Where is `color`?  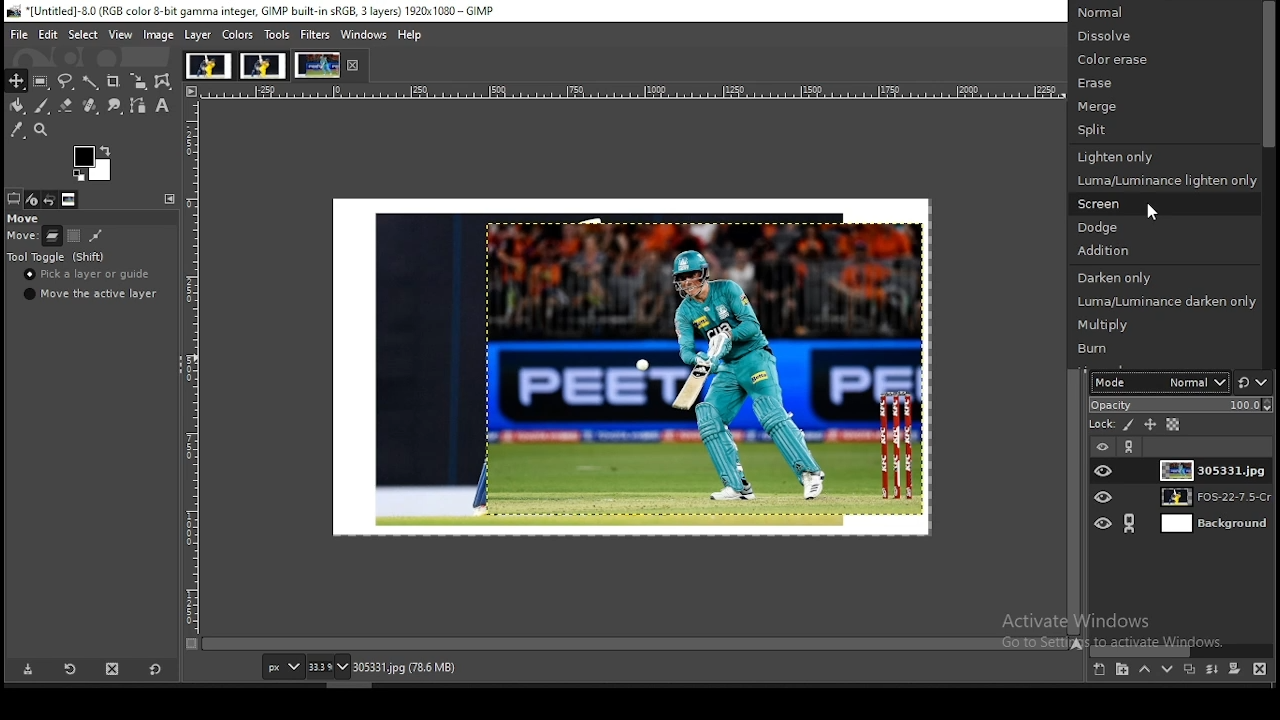 color is located at coordinates (91, 162).